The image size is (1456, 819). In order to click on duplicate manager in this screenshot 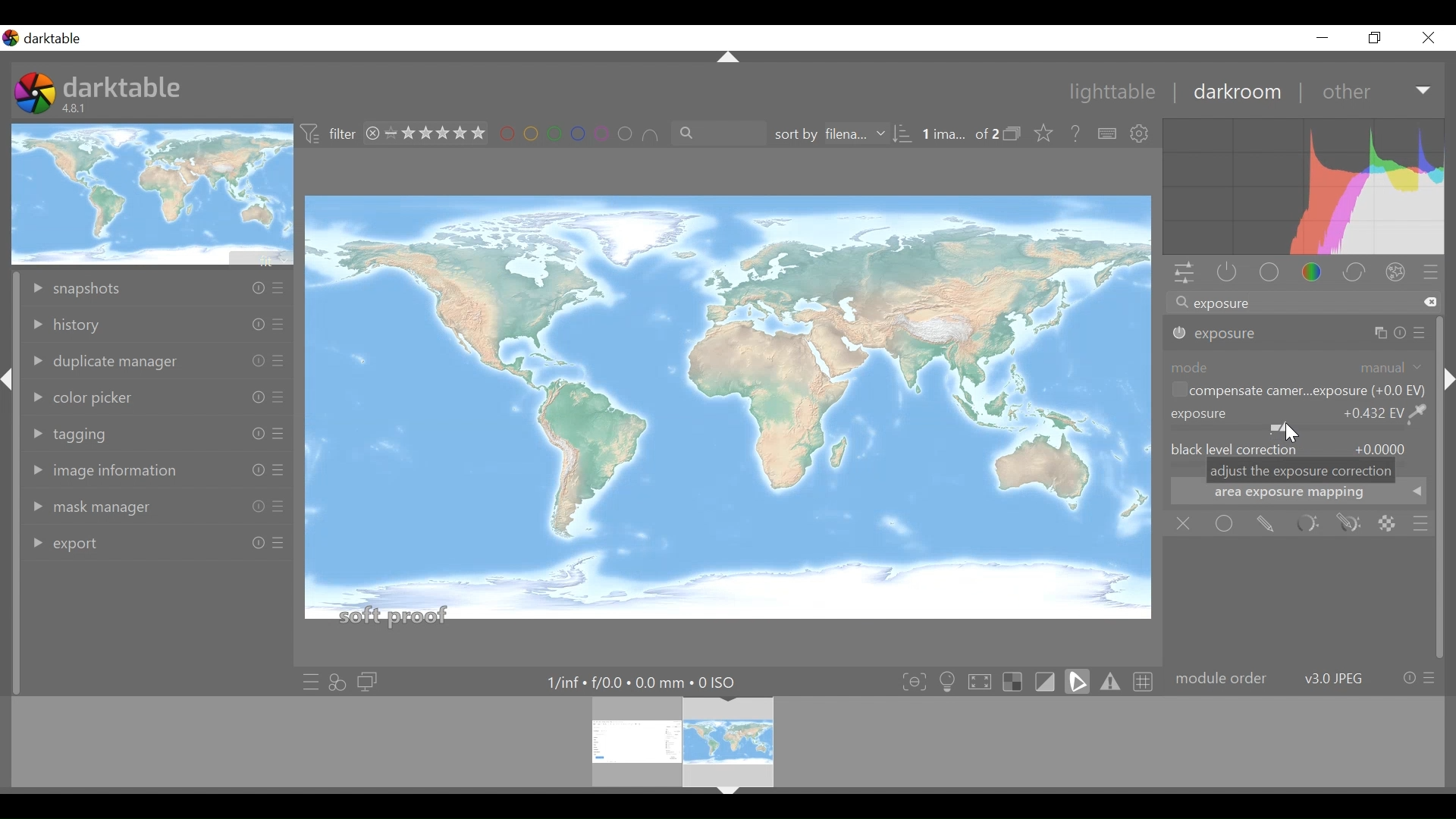, I will do `click(105, 361)`.